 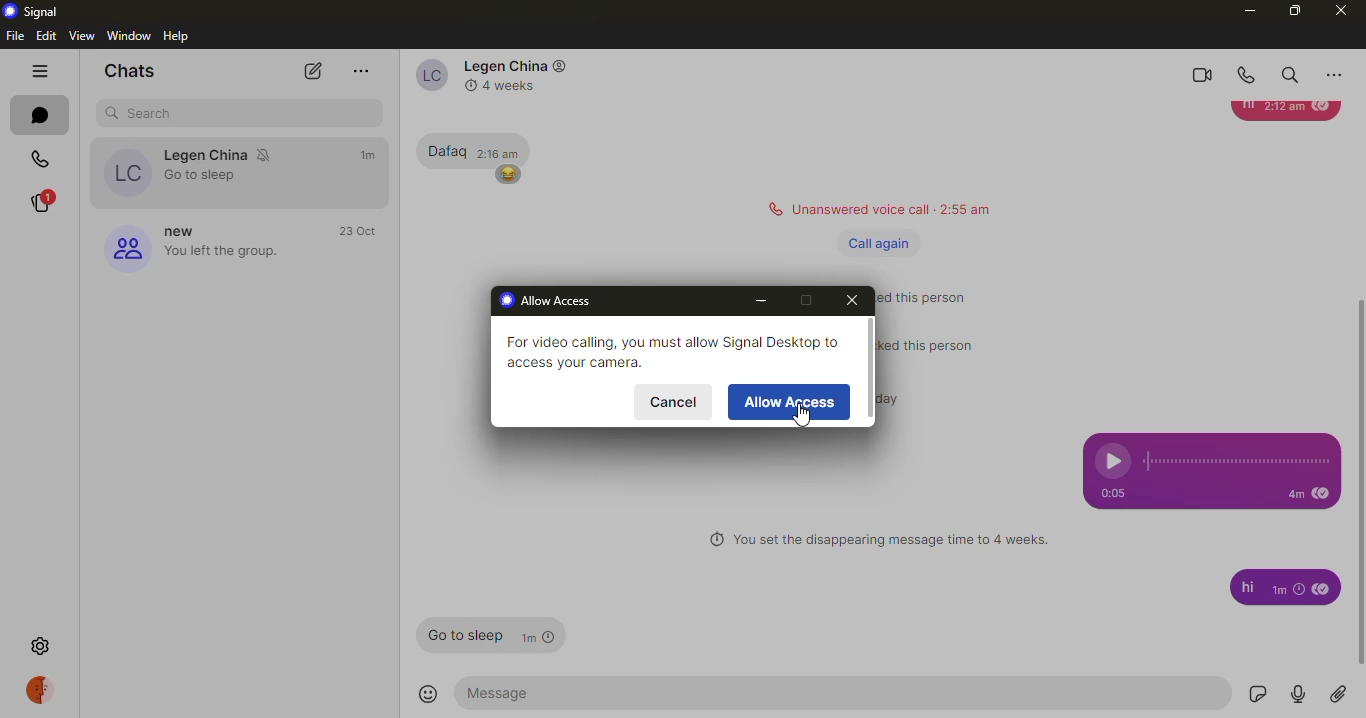 I want to click on recording, so click(x=1242, y=461).